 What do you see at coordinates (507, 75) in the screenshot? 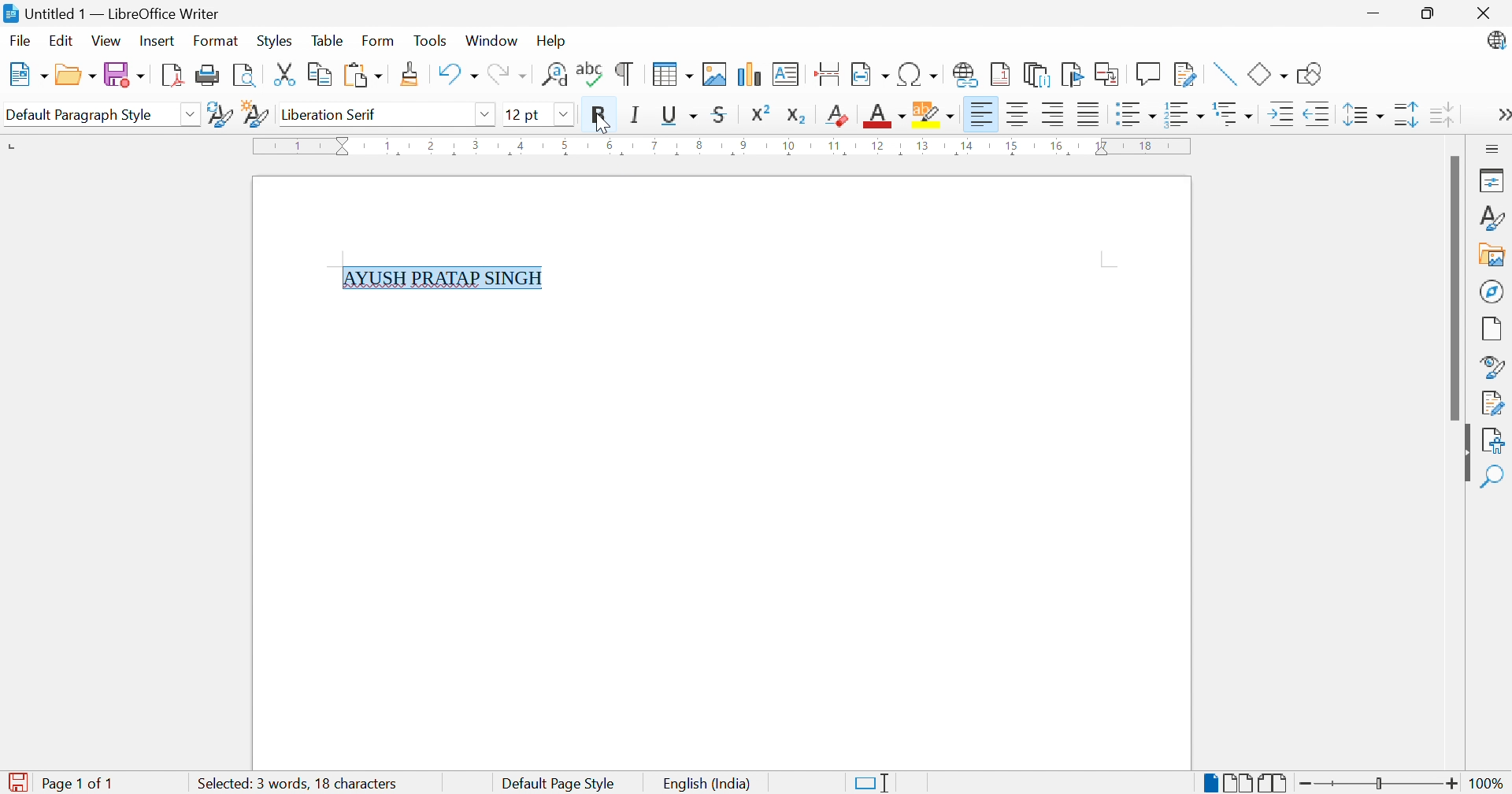
I see `Redo` at bounding box center [507, 75].